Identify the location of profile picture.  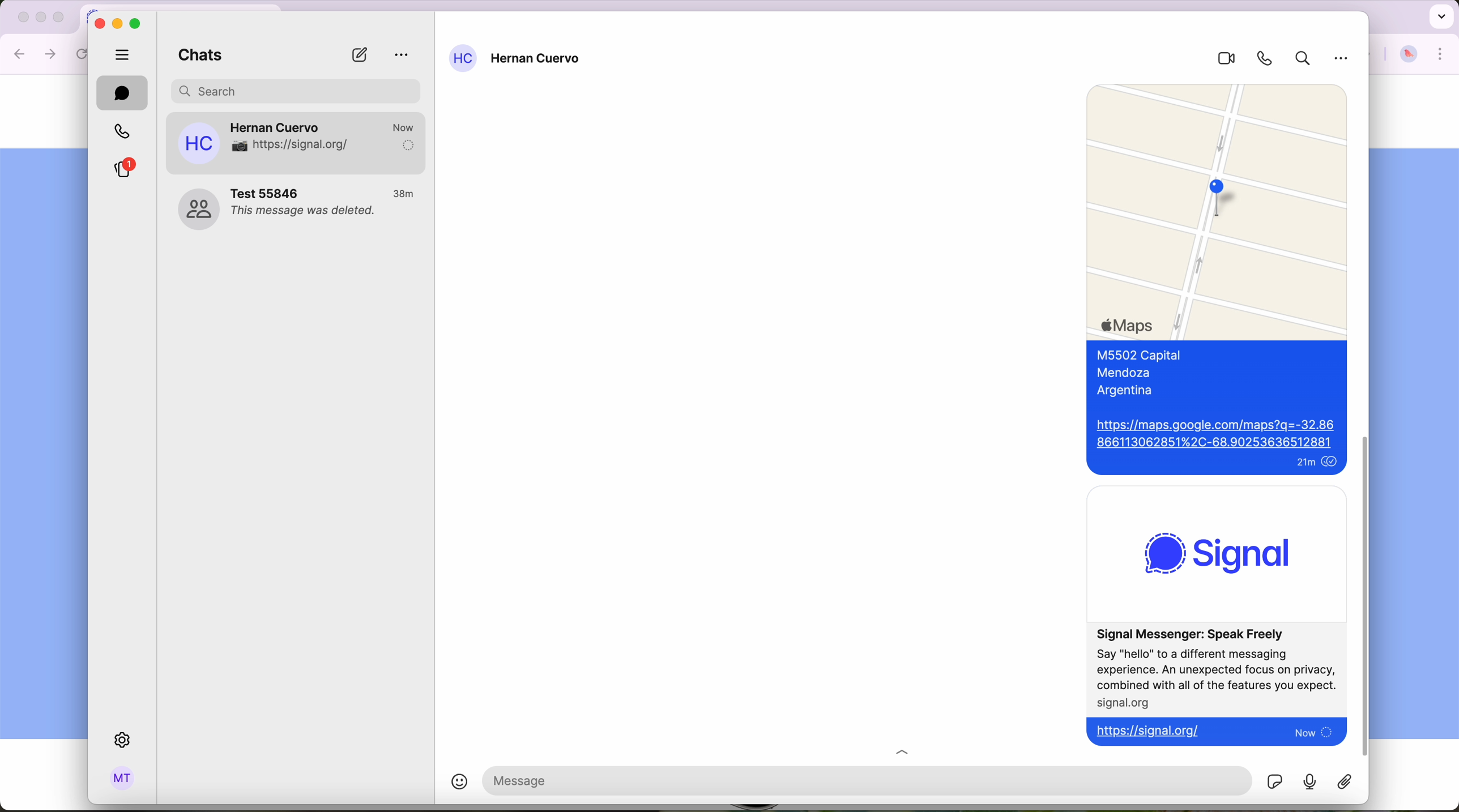
(1409, 55).